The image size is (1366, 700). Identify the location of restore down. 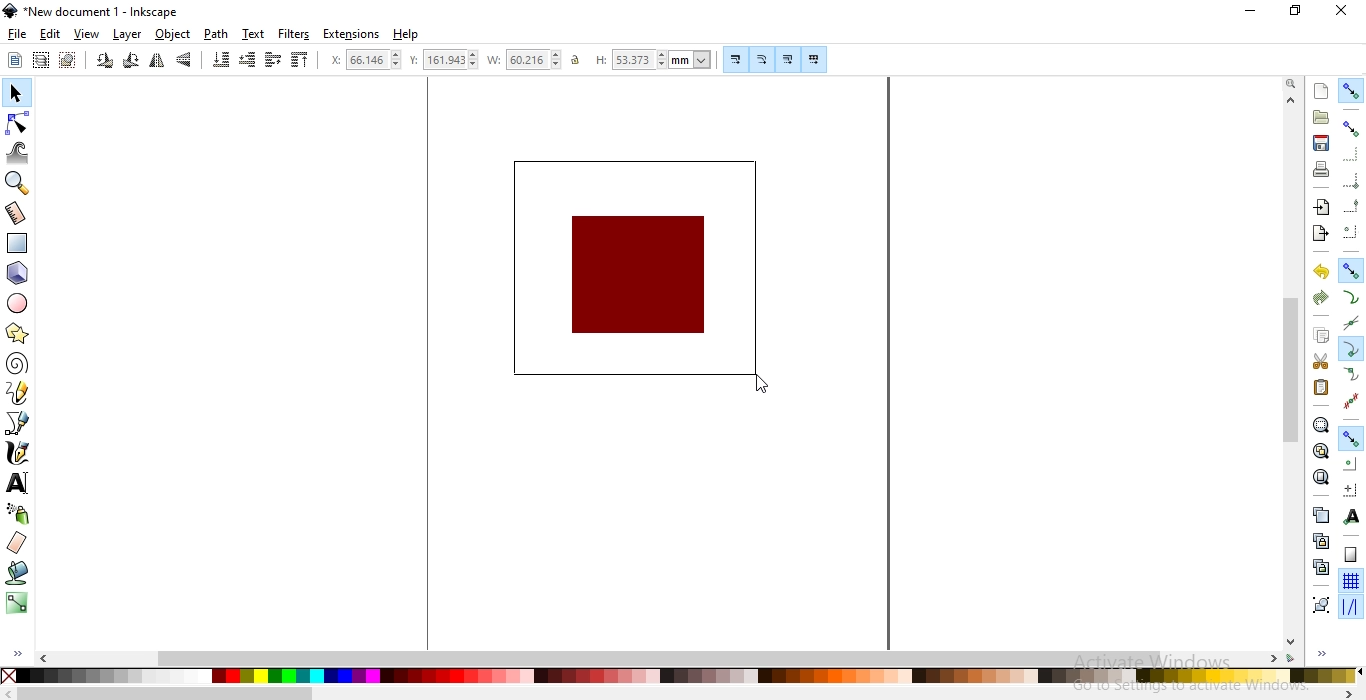
(1294, 9).